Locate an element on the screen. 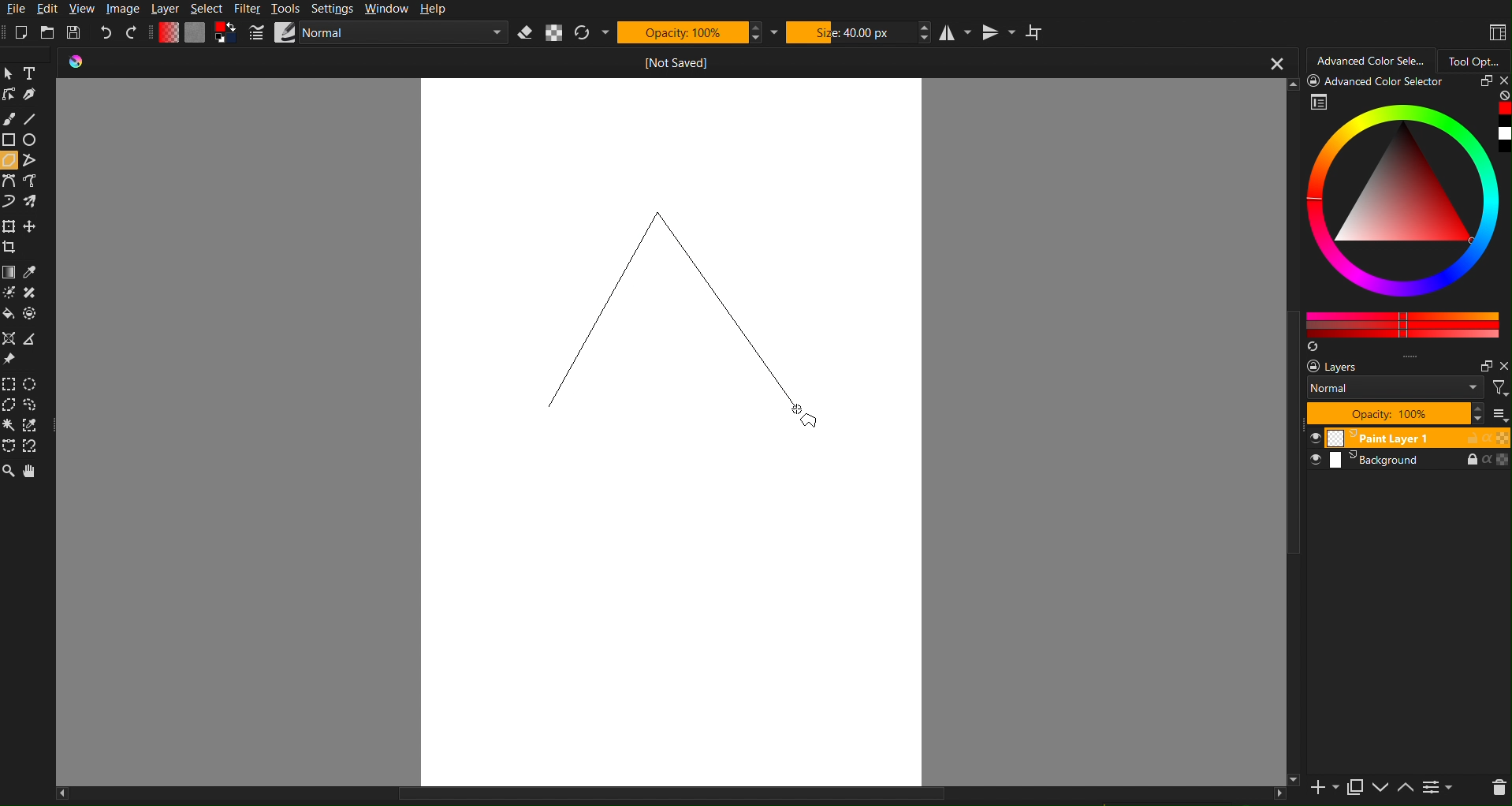 The width and height of the screenshot is (1512, 806). scroll bar is located at coordinates (1293, 432).